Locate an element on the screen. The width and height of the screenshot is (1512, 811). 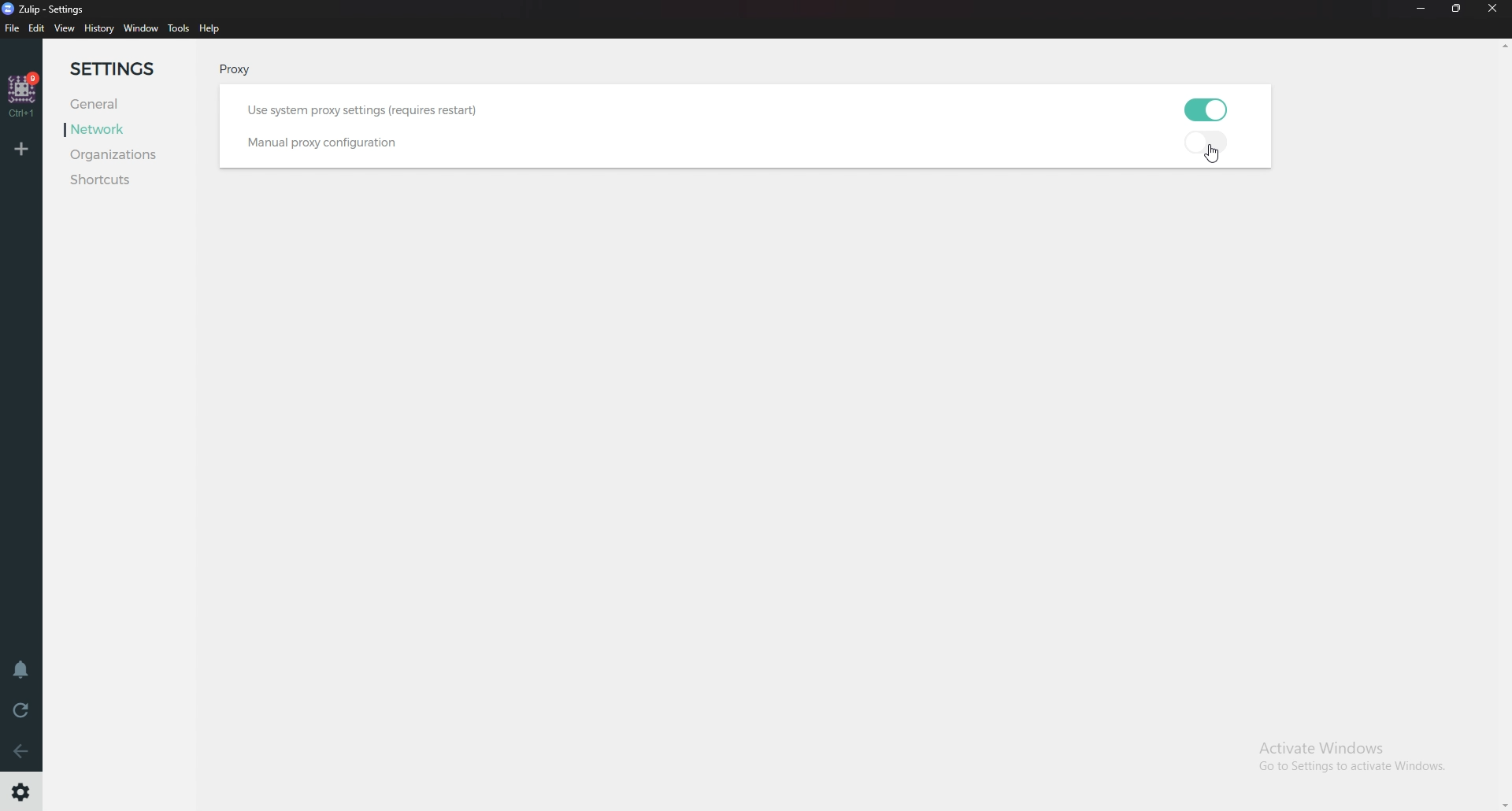
Toggle is located at coordinates (1210, 146).